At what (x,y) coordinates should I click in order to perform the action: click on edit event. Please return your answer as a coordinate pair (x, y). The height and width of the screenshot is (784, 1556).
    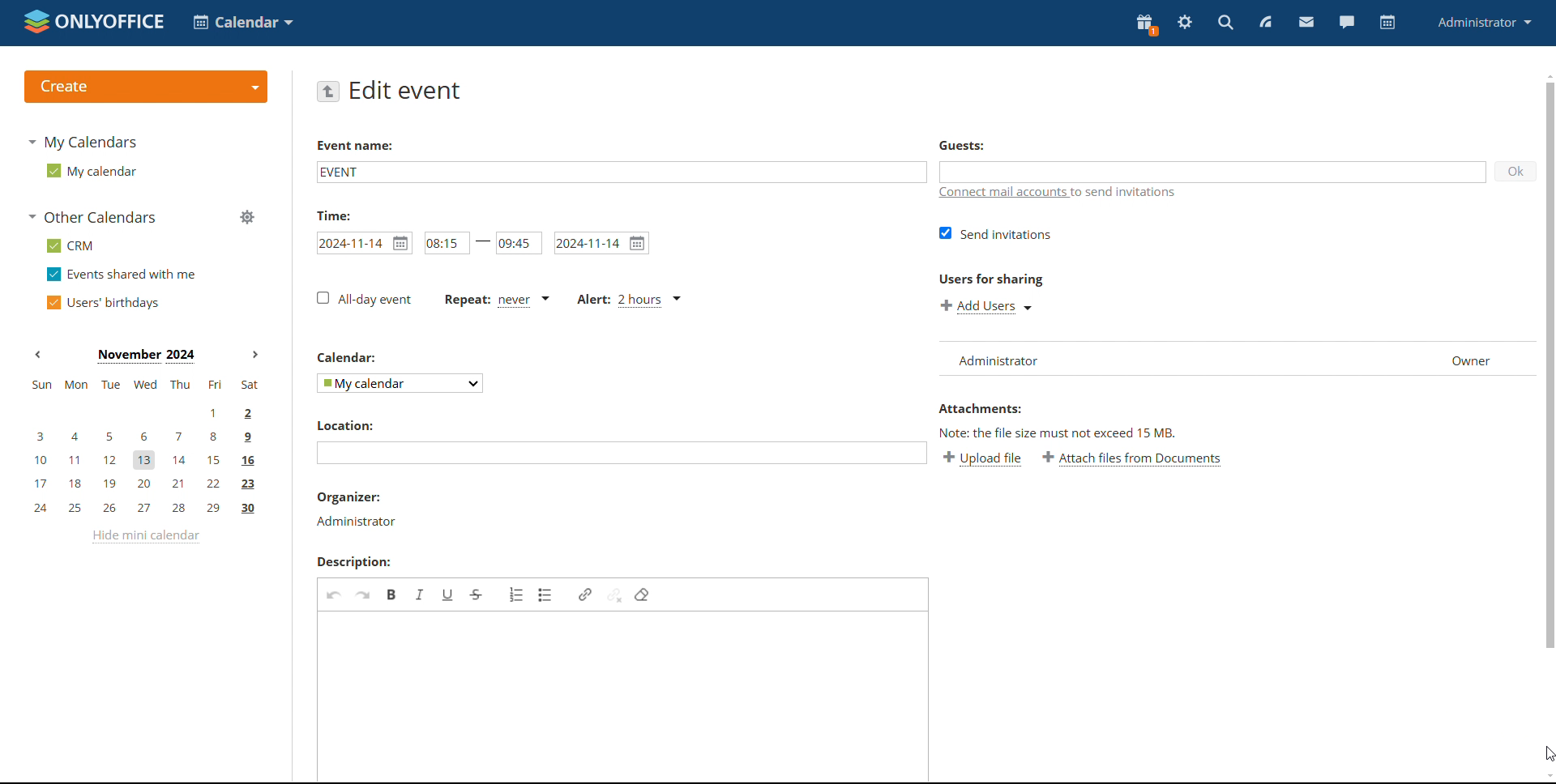
    Looking at the image, I should click on (407, 91).